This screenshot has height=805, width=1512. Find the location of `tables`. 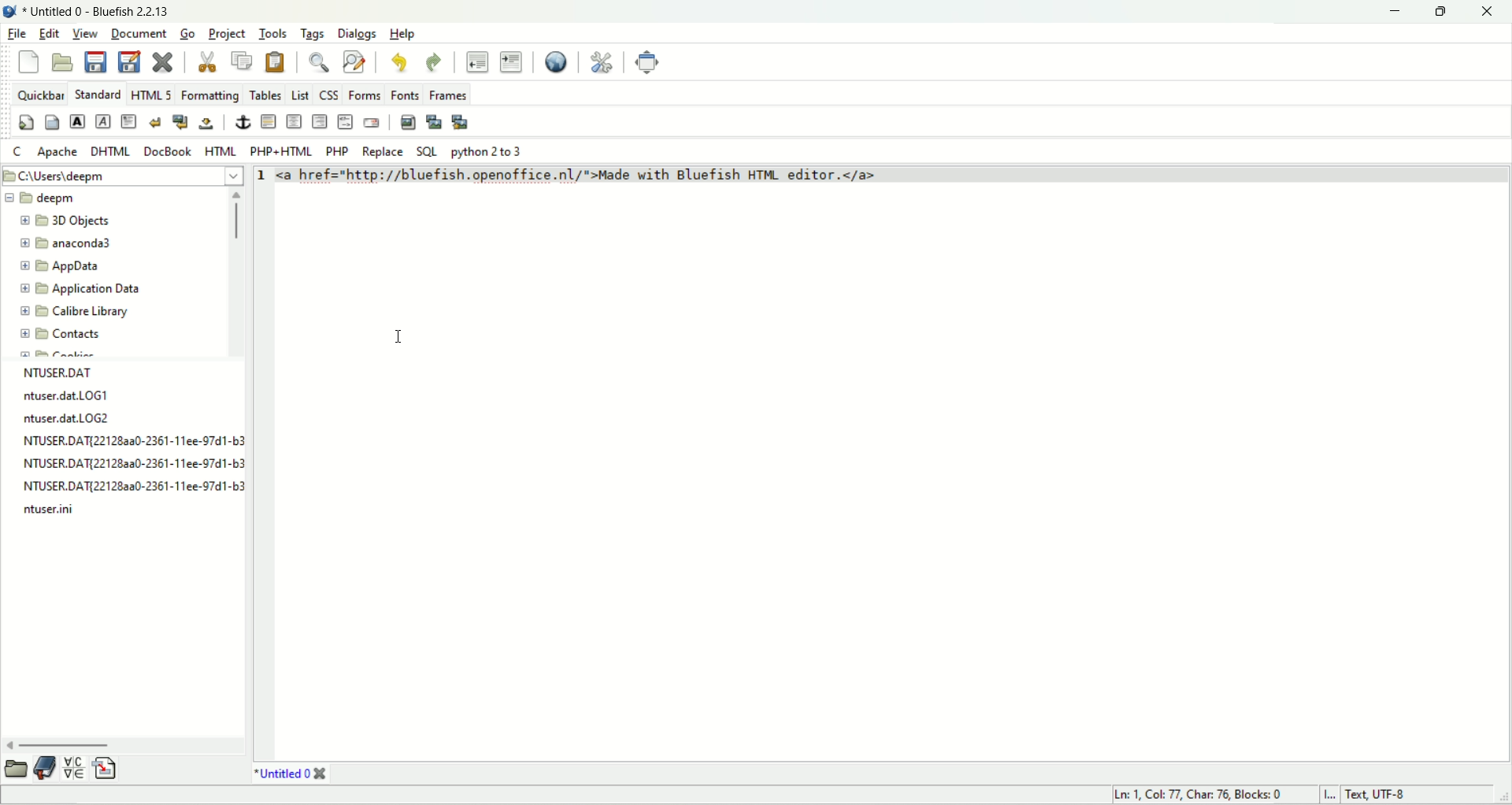

tables is located at coordinates (265, 92).